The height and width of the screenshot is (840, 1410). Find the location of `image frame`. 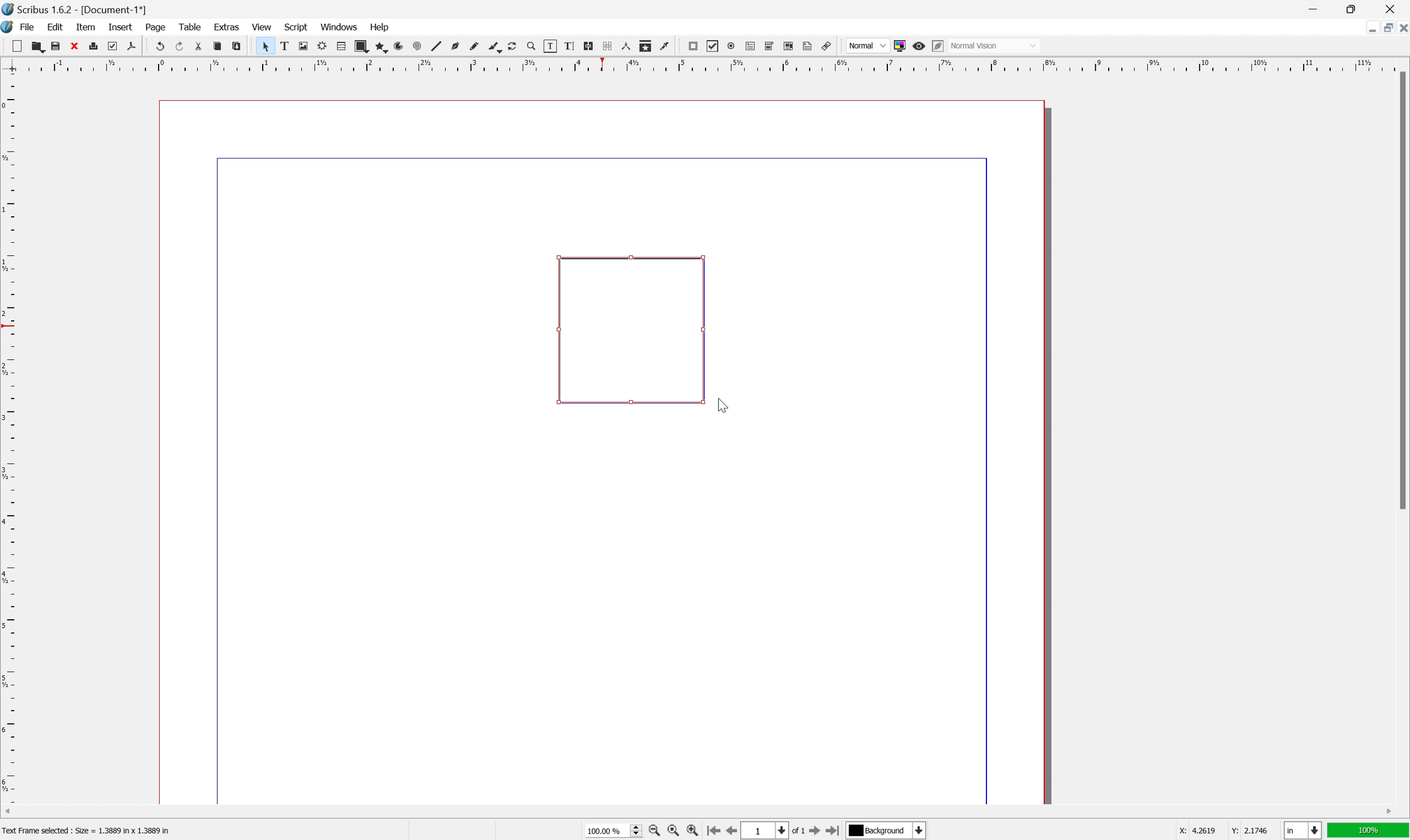

image frame is located at coordinates (303, 46).